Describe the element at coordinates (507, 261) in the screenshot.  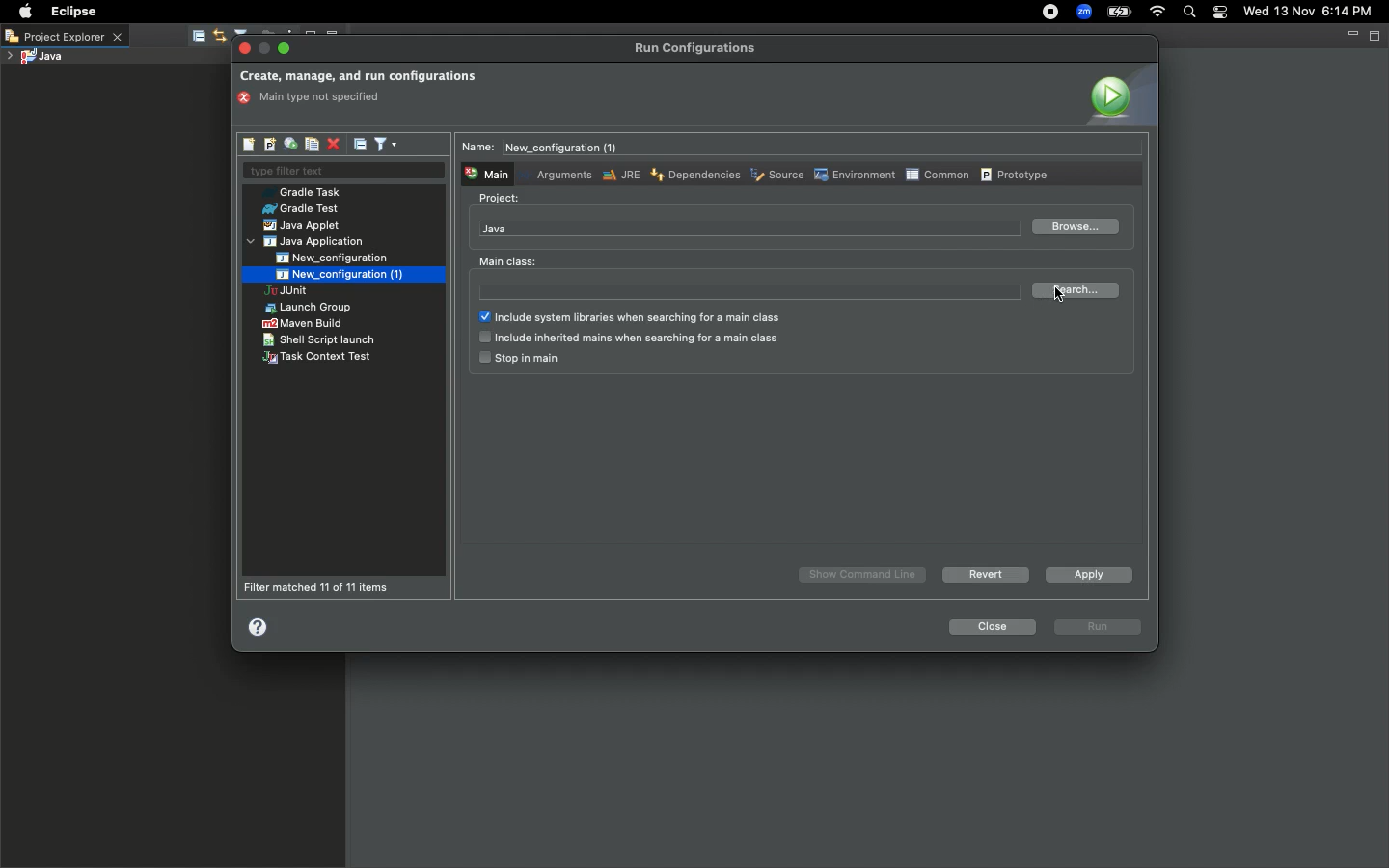
I see `Main class:` at that location.